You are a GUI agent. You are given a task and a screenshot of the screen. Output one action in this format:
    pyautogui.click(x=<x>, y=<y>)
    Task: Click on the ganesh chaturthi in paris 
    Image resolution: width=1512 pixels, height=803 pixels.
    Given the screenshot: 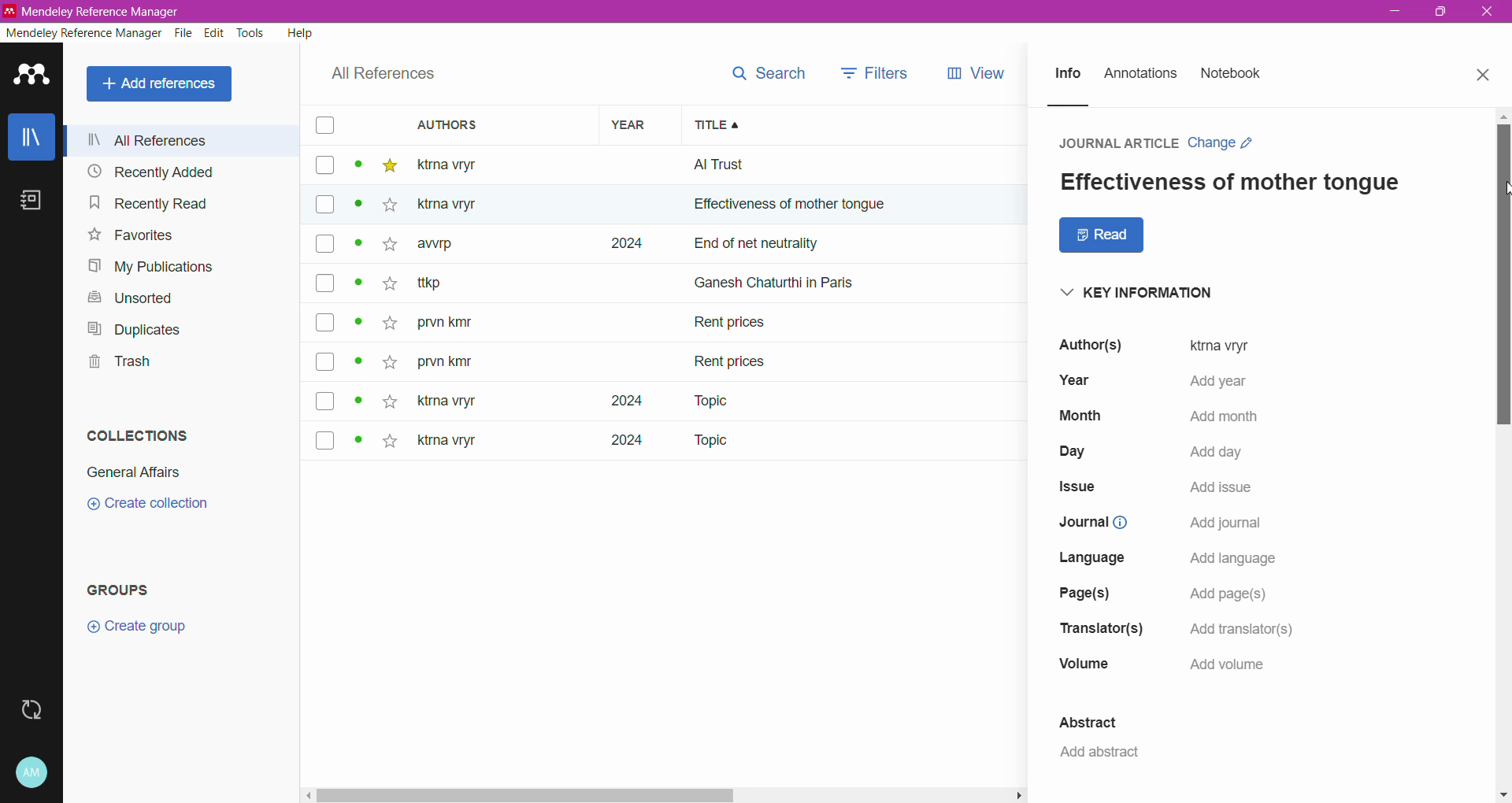 What is the action you would take?
    pyautogui.click(x=792, y=276)
    